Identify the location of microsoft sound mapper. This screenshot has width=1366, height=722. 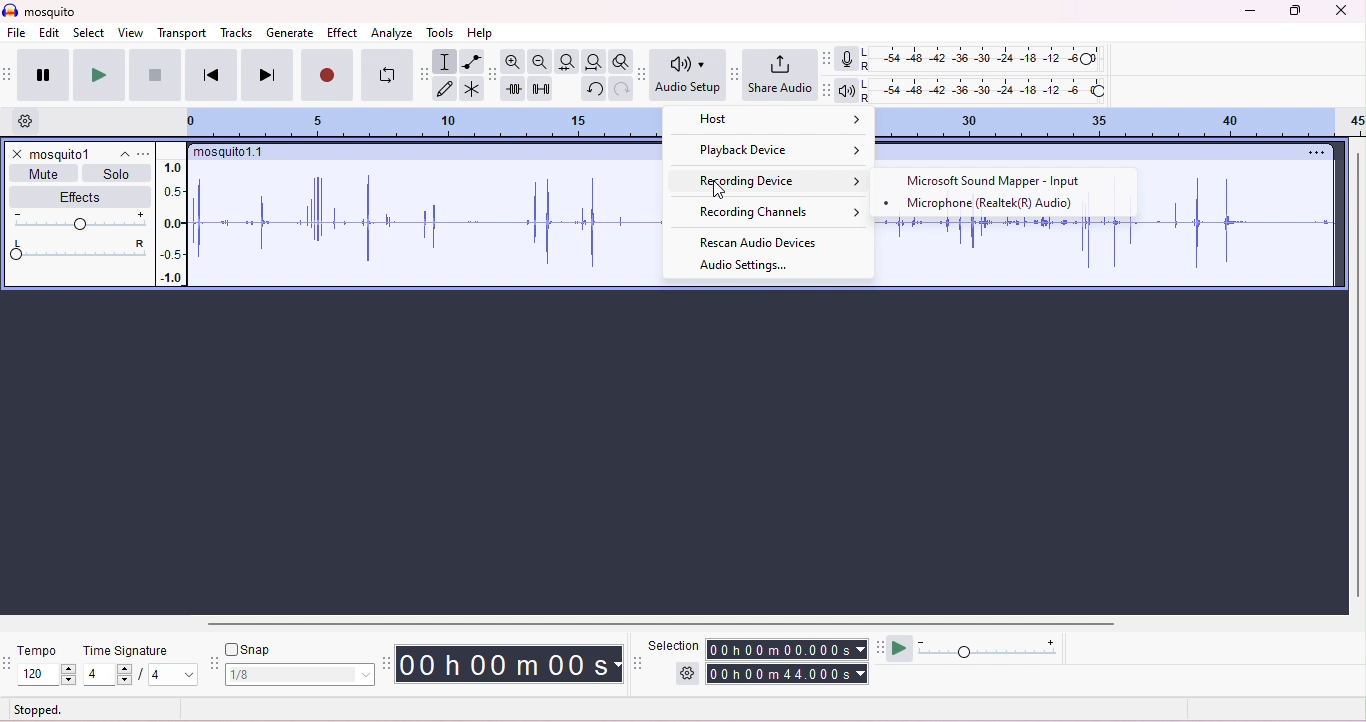
(998, 182).